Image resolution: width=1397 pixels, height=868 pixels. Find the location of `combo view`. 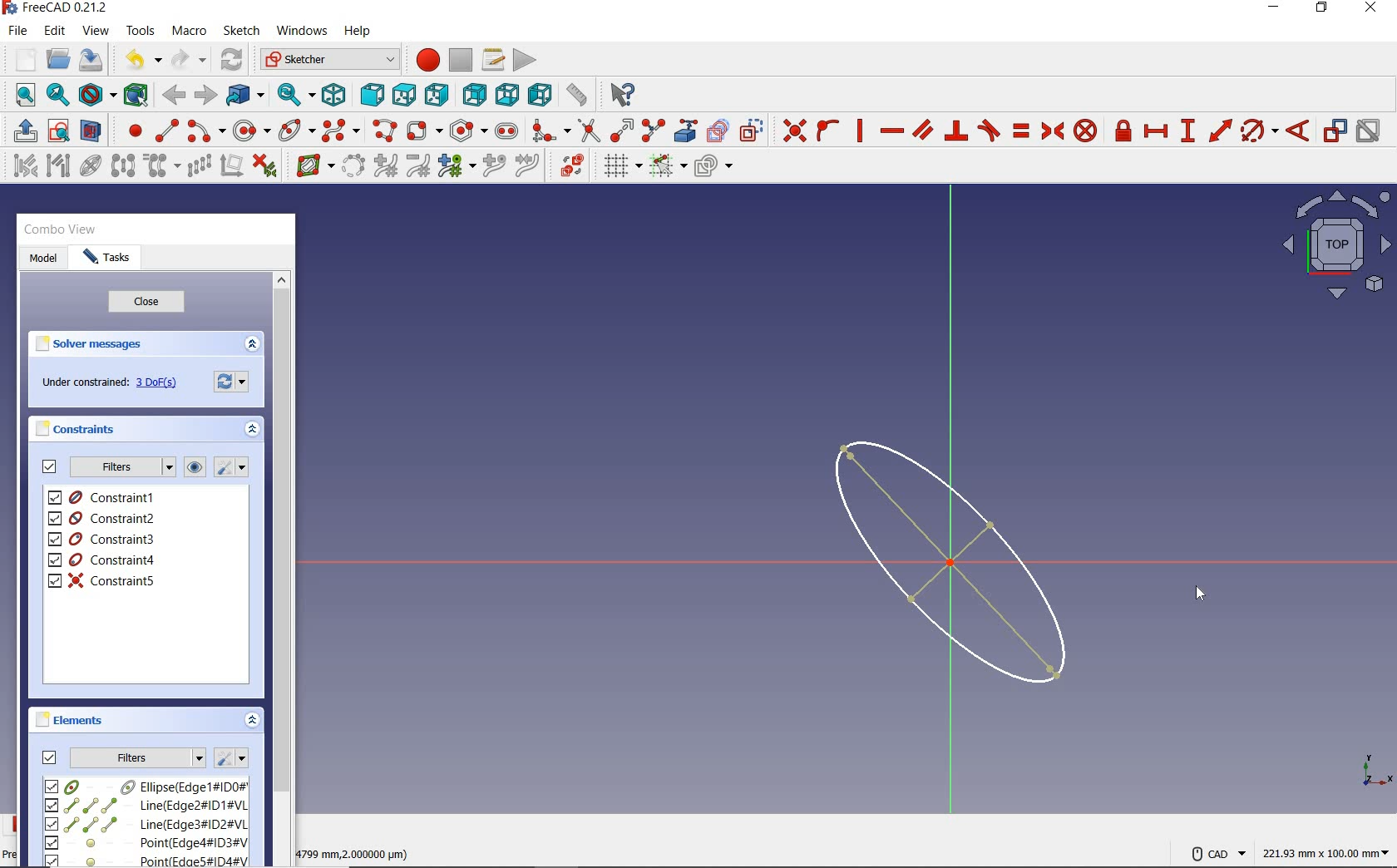

combo view is located at coordinates (61, 229).